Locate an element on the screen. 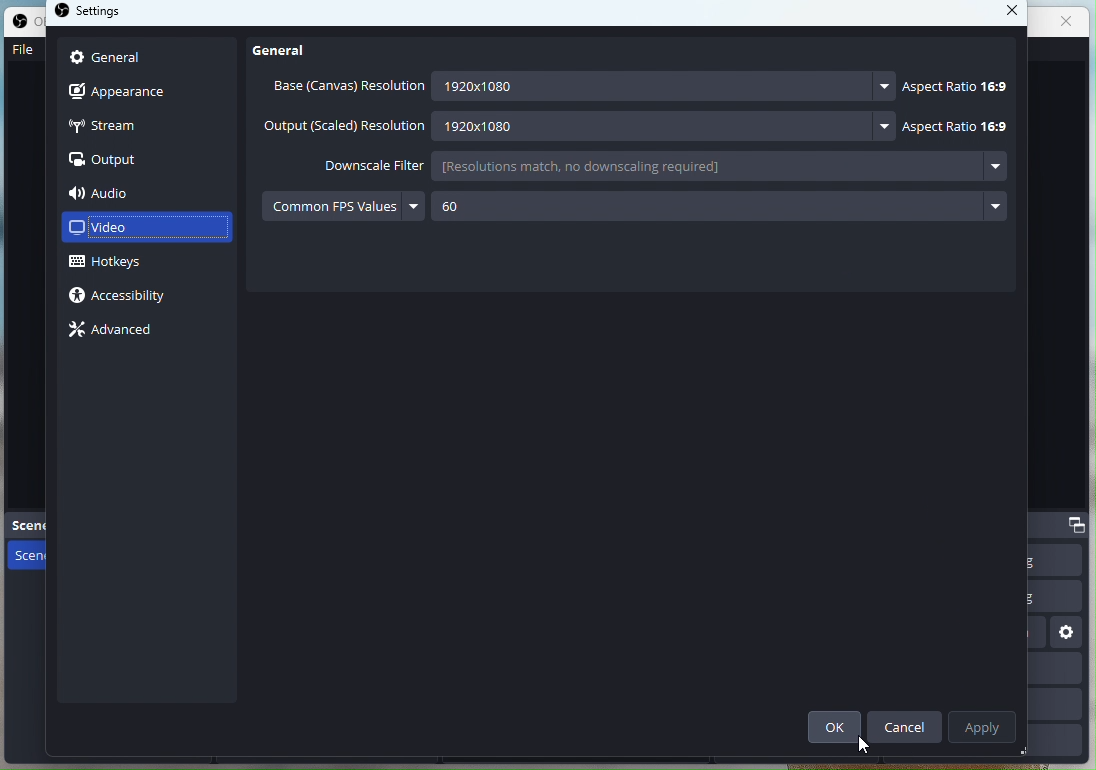  60 is located at coordinates (499, 206).